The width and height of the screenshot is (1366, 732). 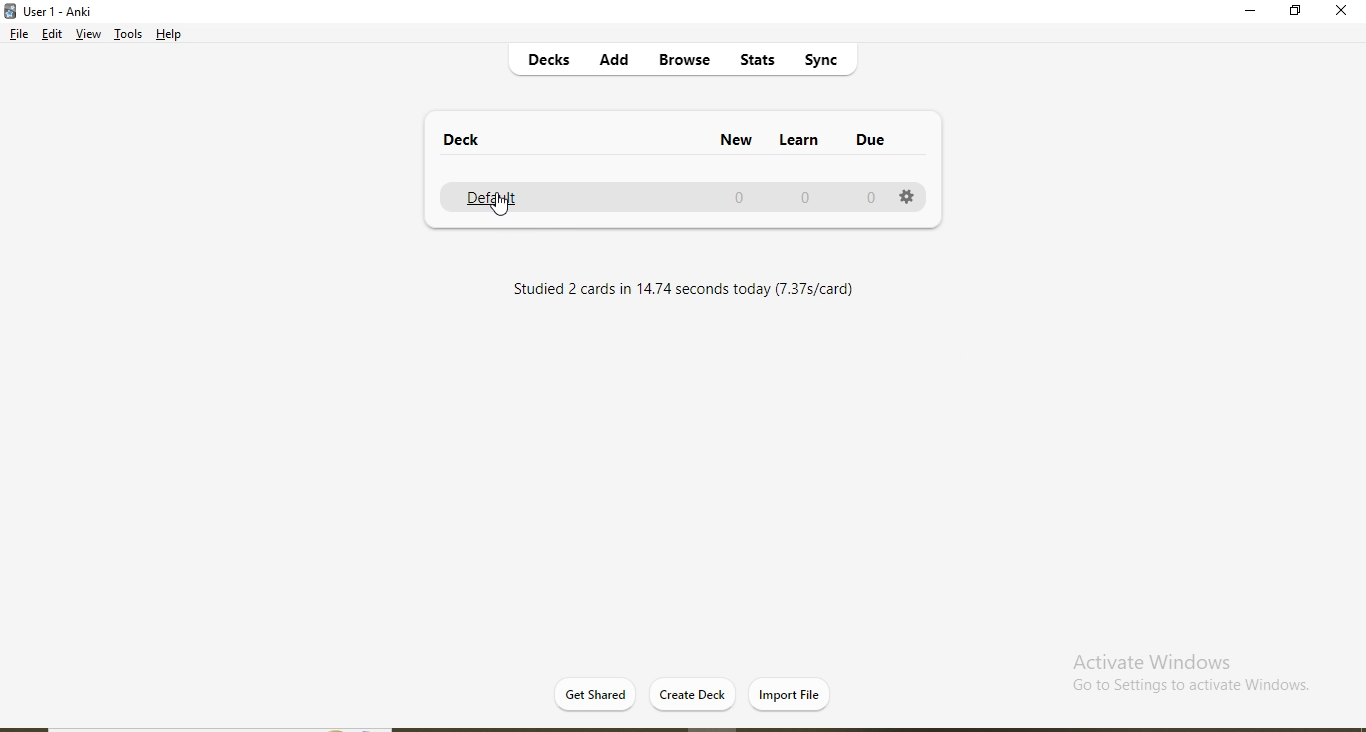 What do you see at coordinates (1341, 12) in the screenshot?
I see `close` at bounding box center [1341, 12].